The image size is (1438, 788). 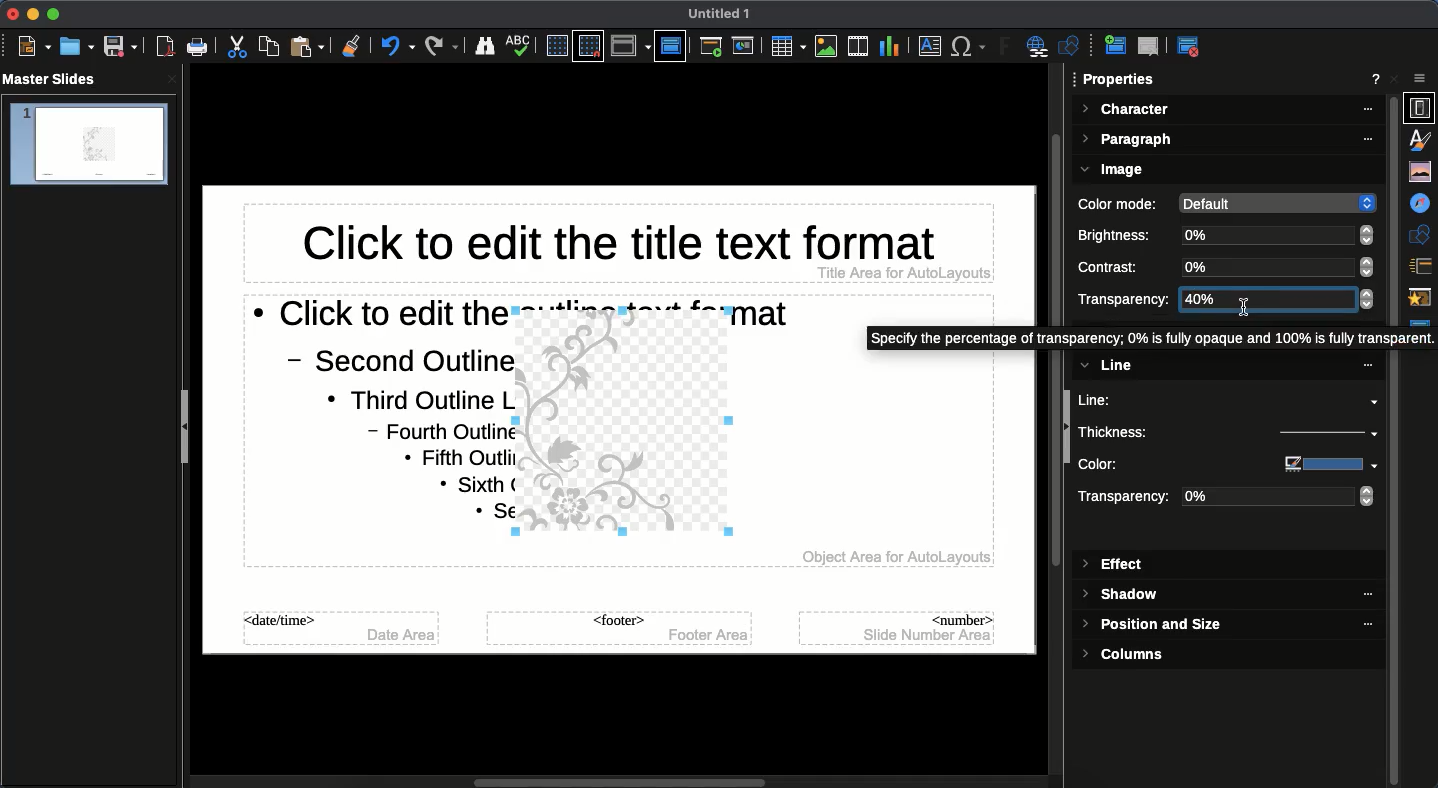 What do you see at coordinates (1358, 595) in the screenshot?
I see `""` at bounding box center [1358, 595].